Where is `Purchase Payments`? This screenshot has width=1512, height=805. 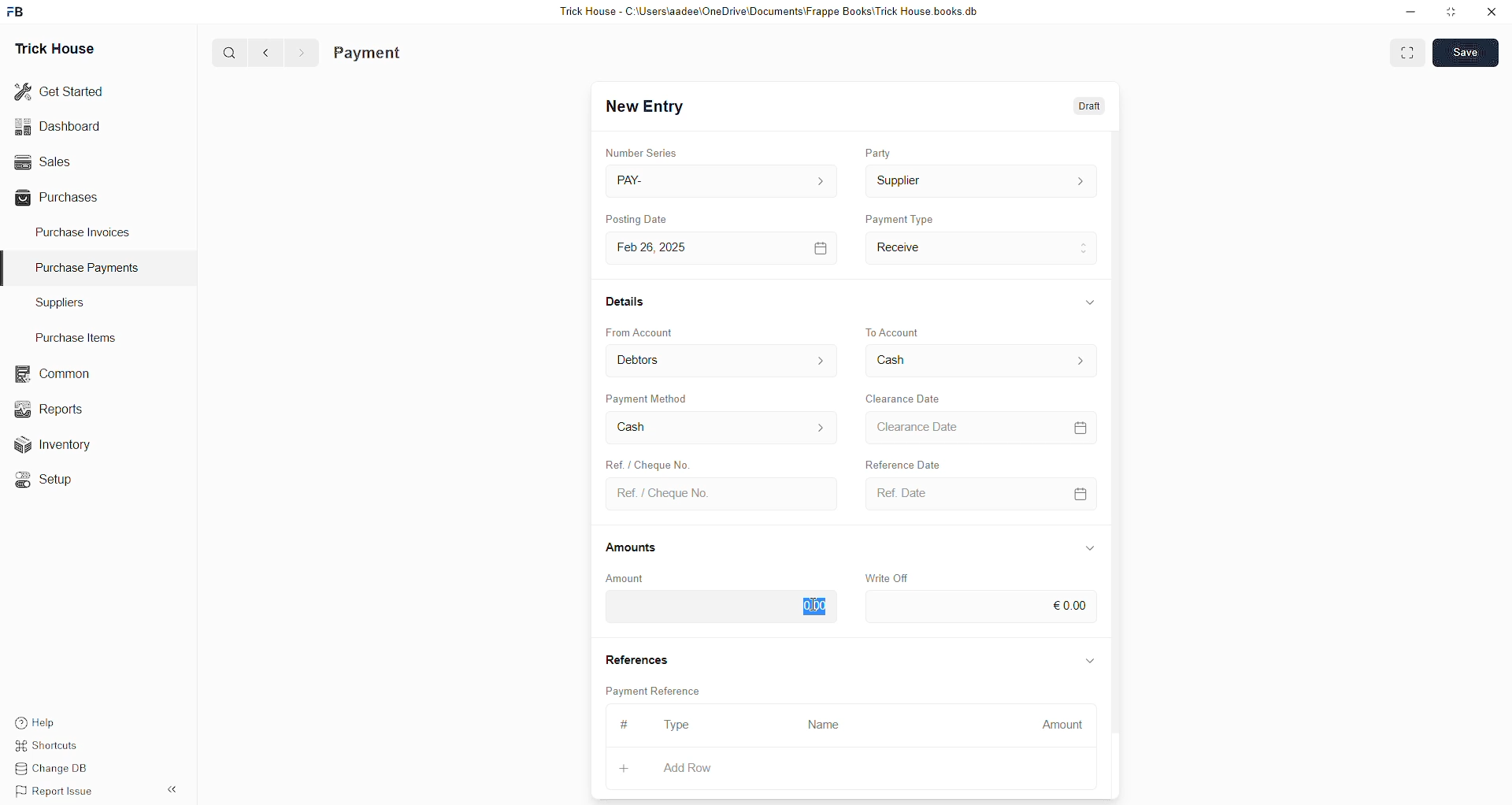
Purchase Payments is located at coordinates (92, 268).